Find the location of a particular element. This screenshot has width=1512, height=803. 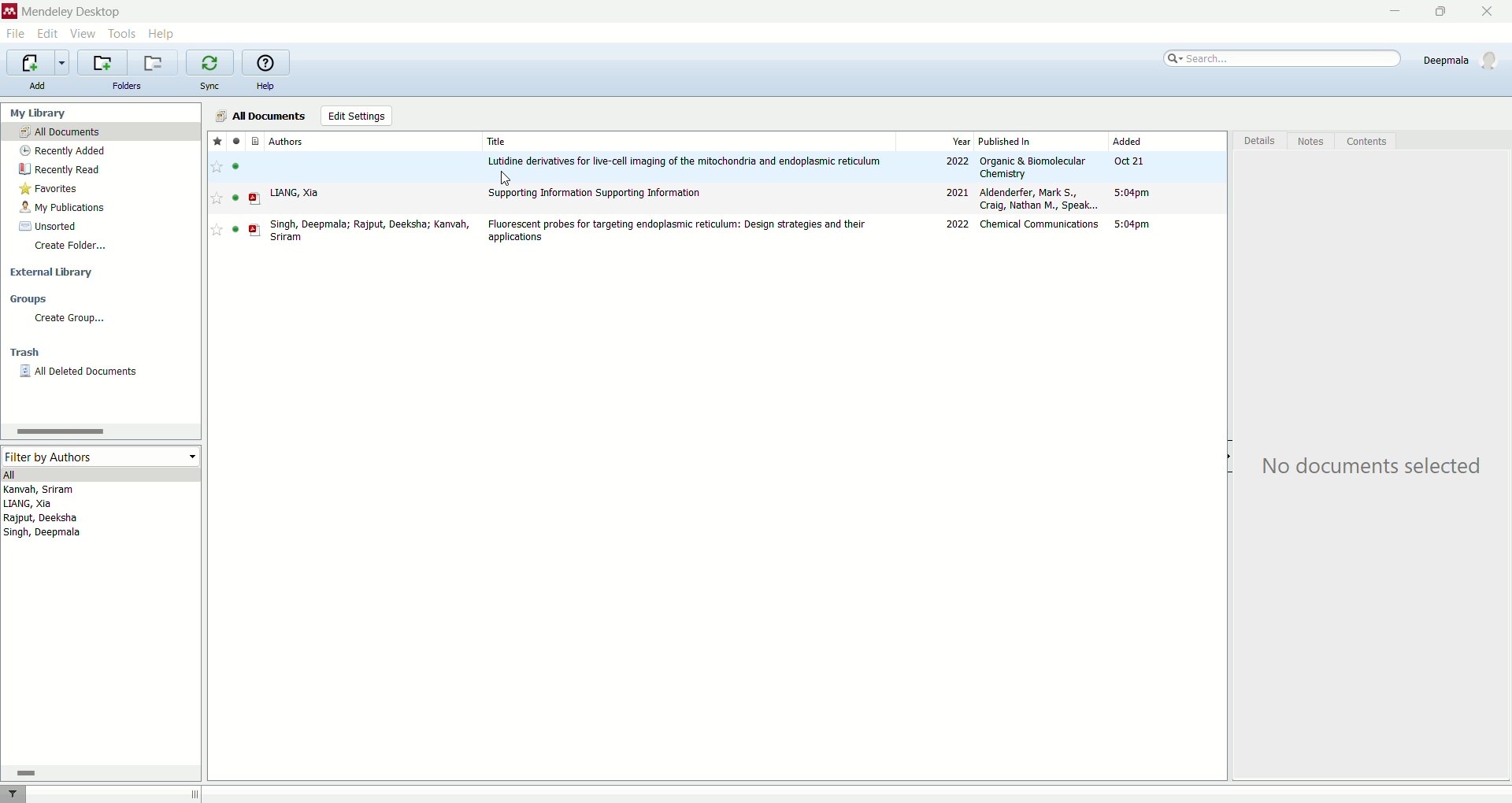

help is located at coordinates (265, 86).